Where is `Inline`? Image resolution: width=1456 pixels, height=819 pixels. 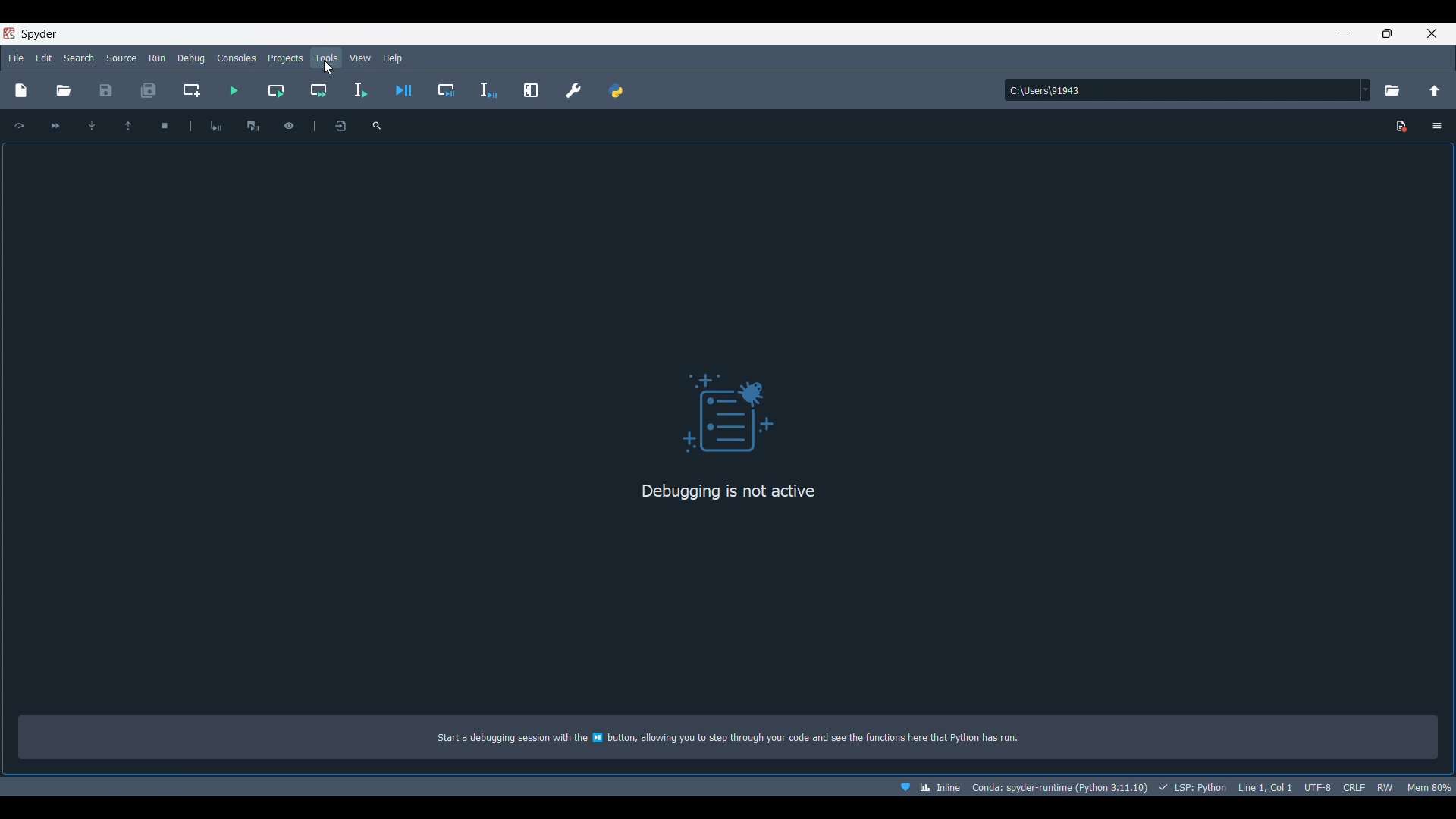 Inline is located at coordinates (924, 787).